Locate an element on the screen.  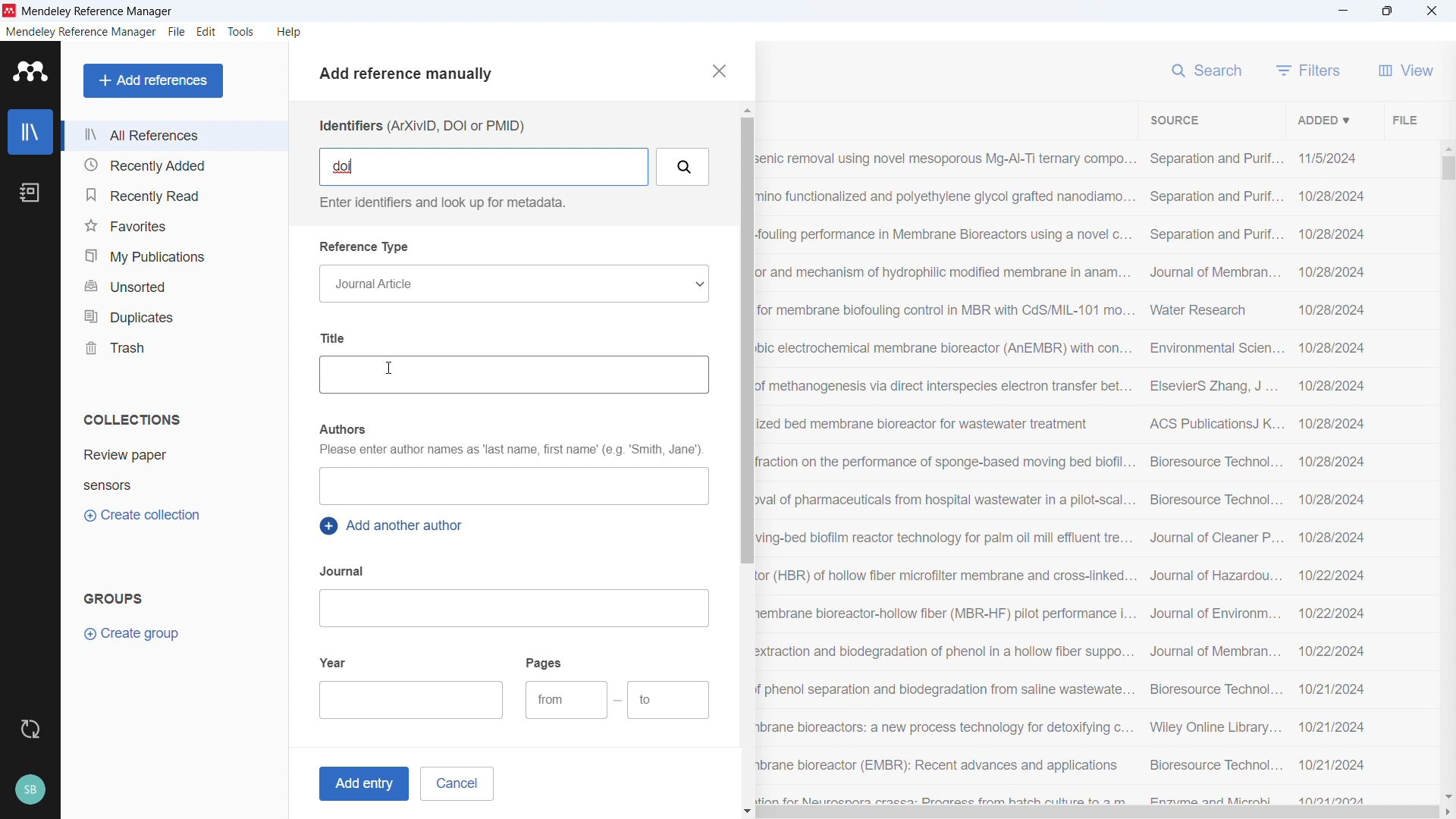
Identifier added is located at coordinates (345, 167).